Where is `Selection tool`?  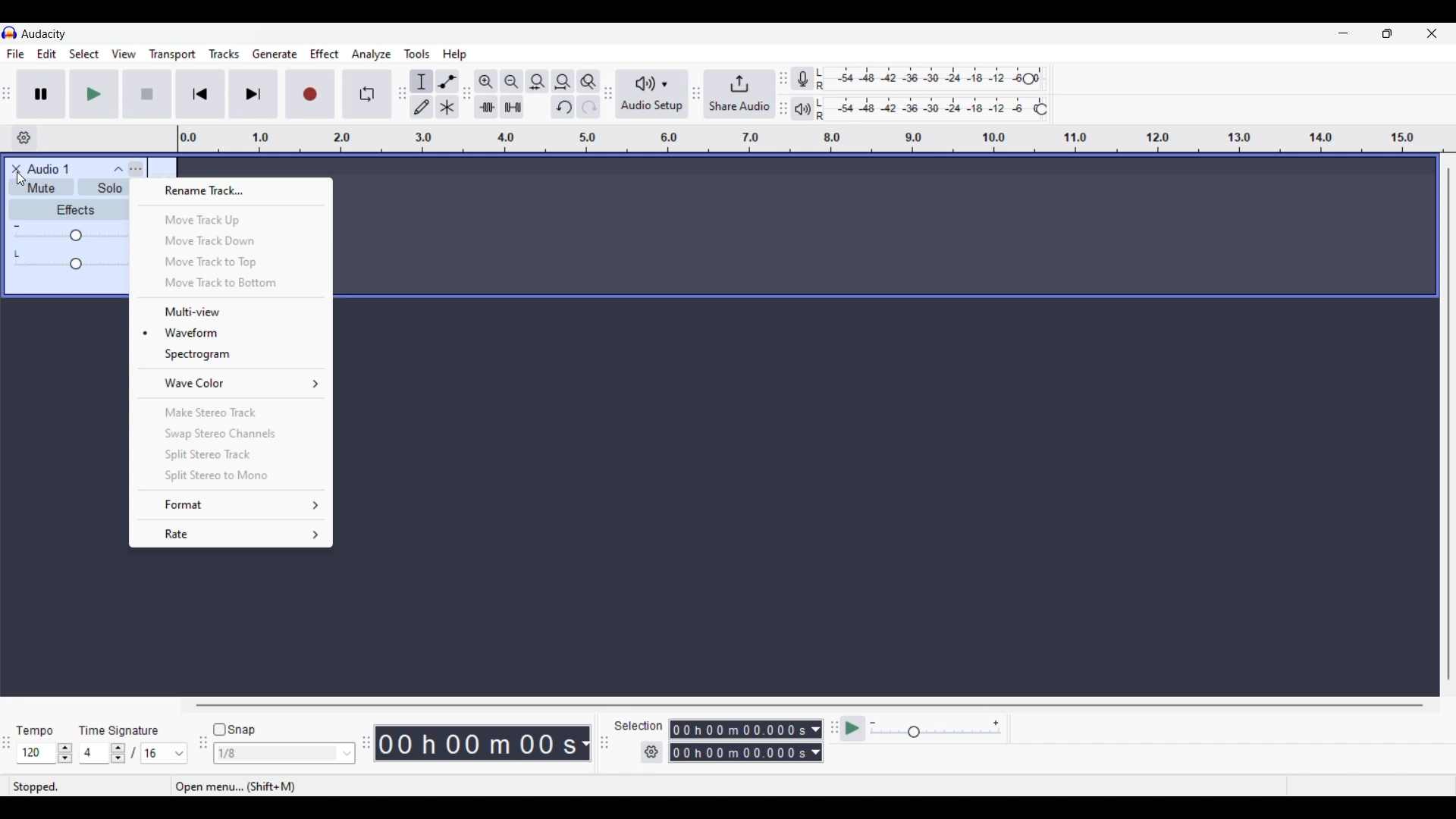
Selection tool is located at coordinates (422, 81).